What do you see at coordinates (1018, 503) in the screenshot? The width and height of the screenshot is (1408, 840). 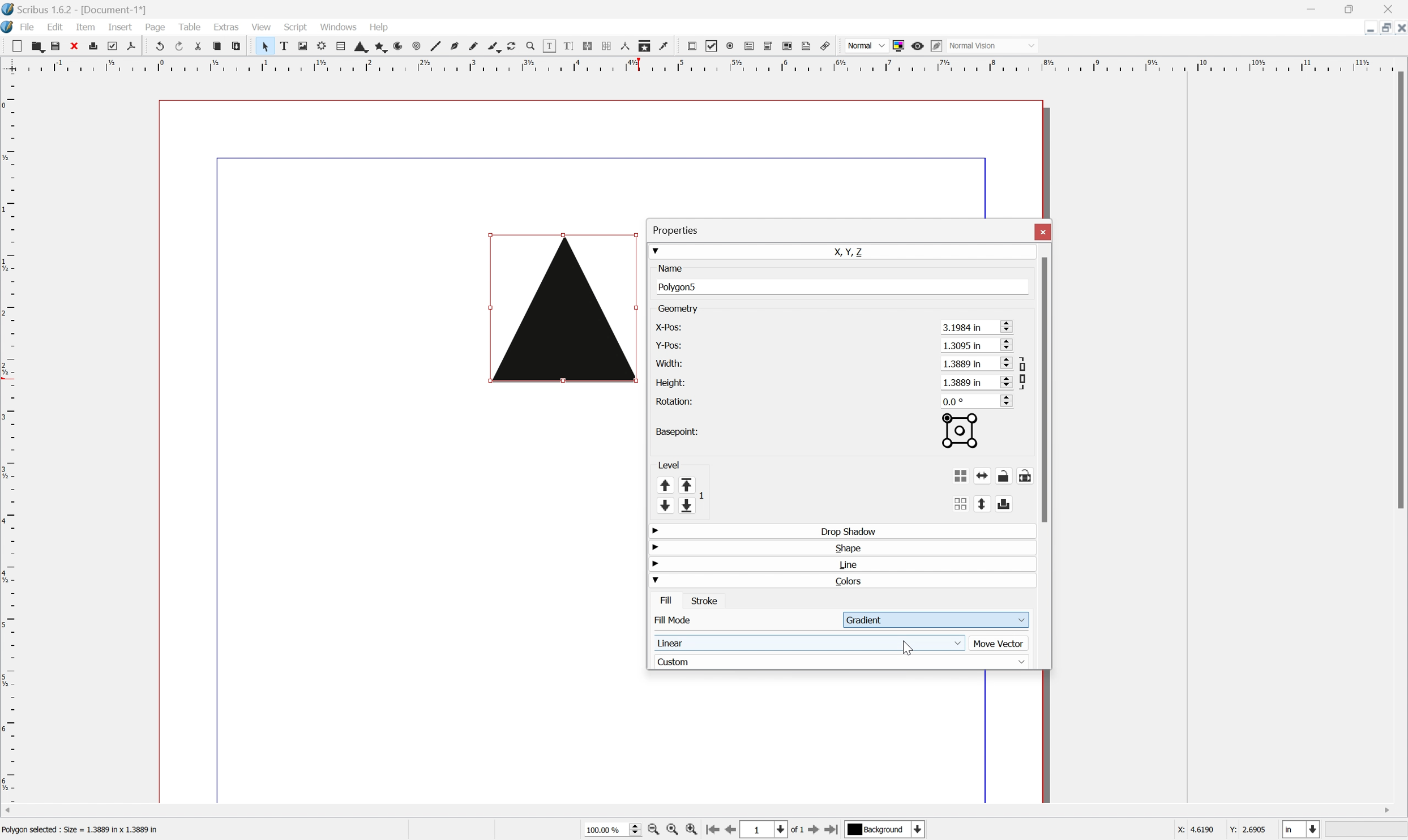 I see `Enable disable exporting objects` at bounding box center [1018, 503].